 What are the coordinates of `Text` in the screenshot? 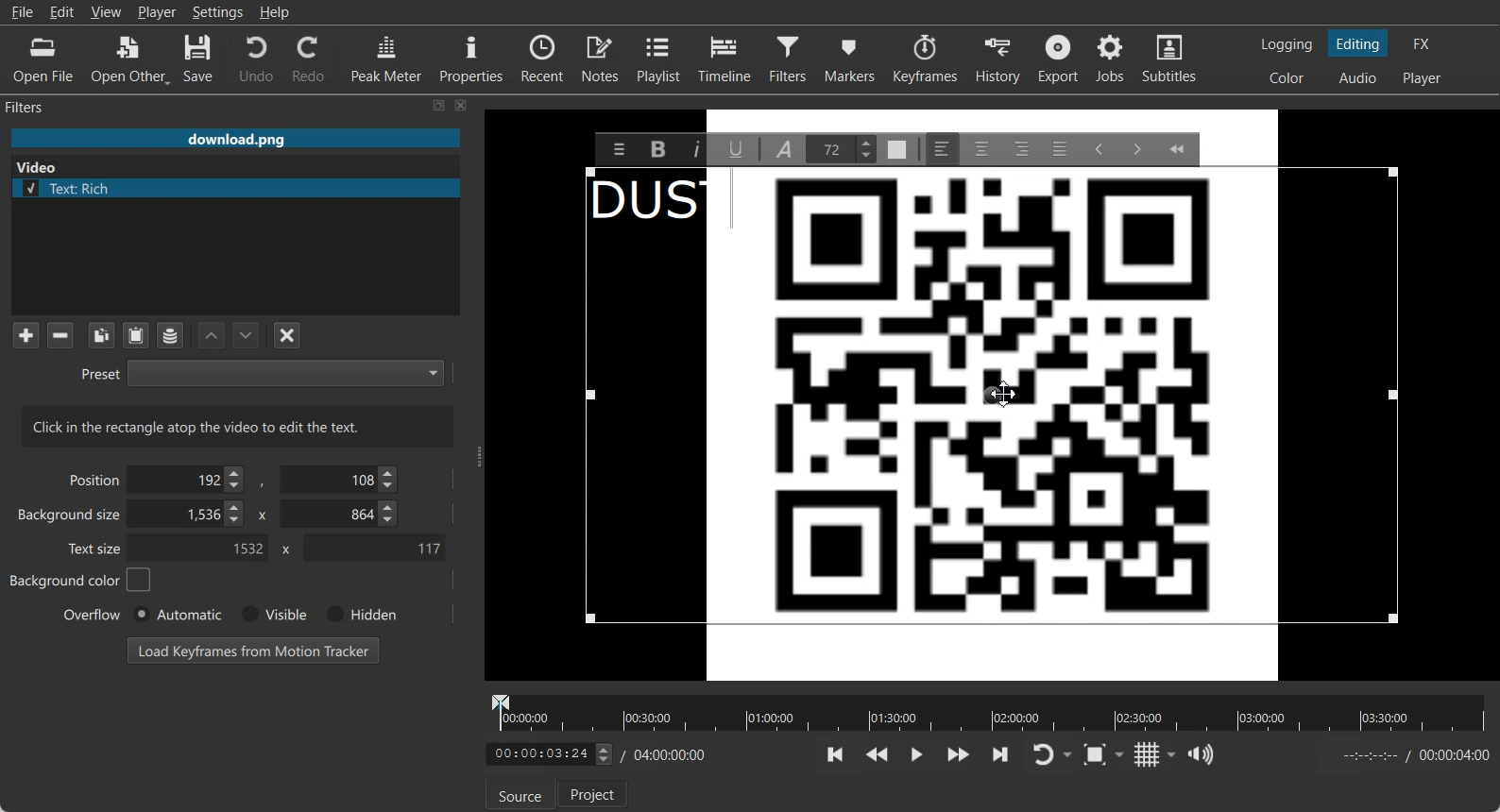 It's located at (238, 426).